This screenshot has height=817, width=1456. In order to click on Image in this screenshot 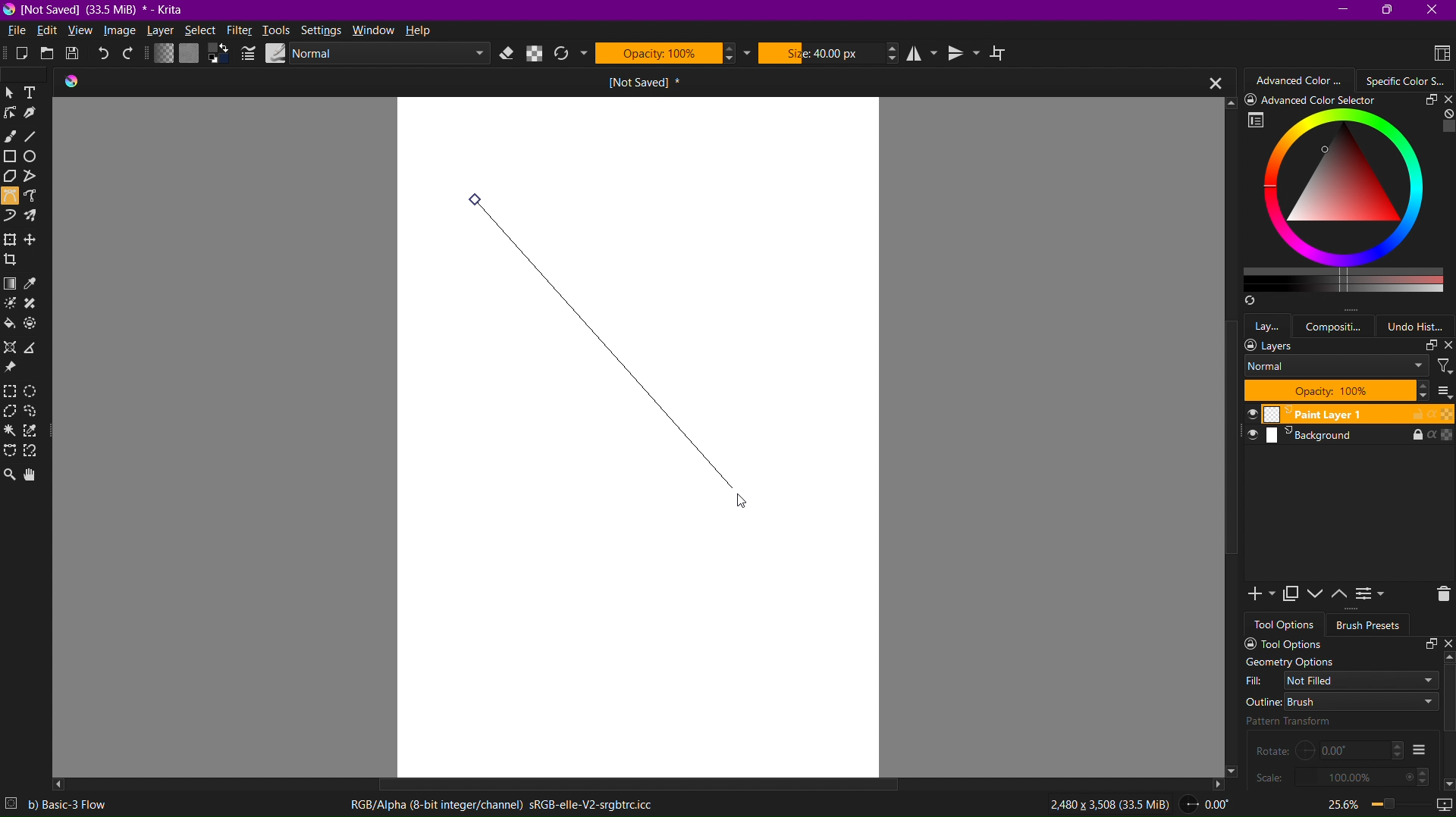, I will do `click(121, 32)`.